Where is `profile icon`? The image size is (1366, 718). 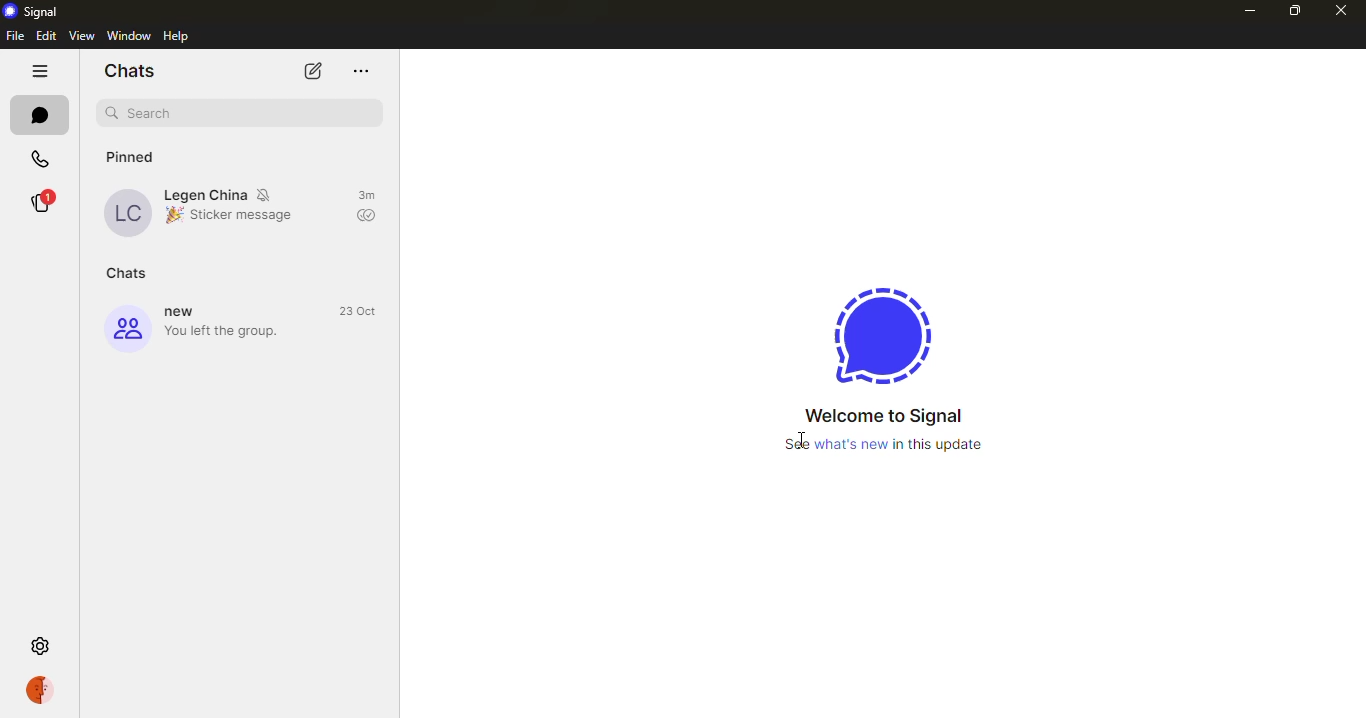
profile icon is located at coordinates (122, 328).